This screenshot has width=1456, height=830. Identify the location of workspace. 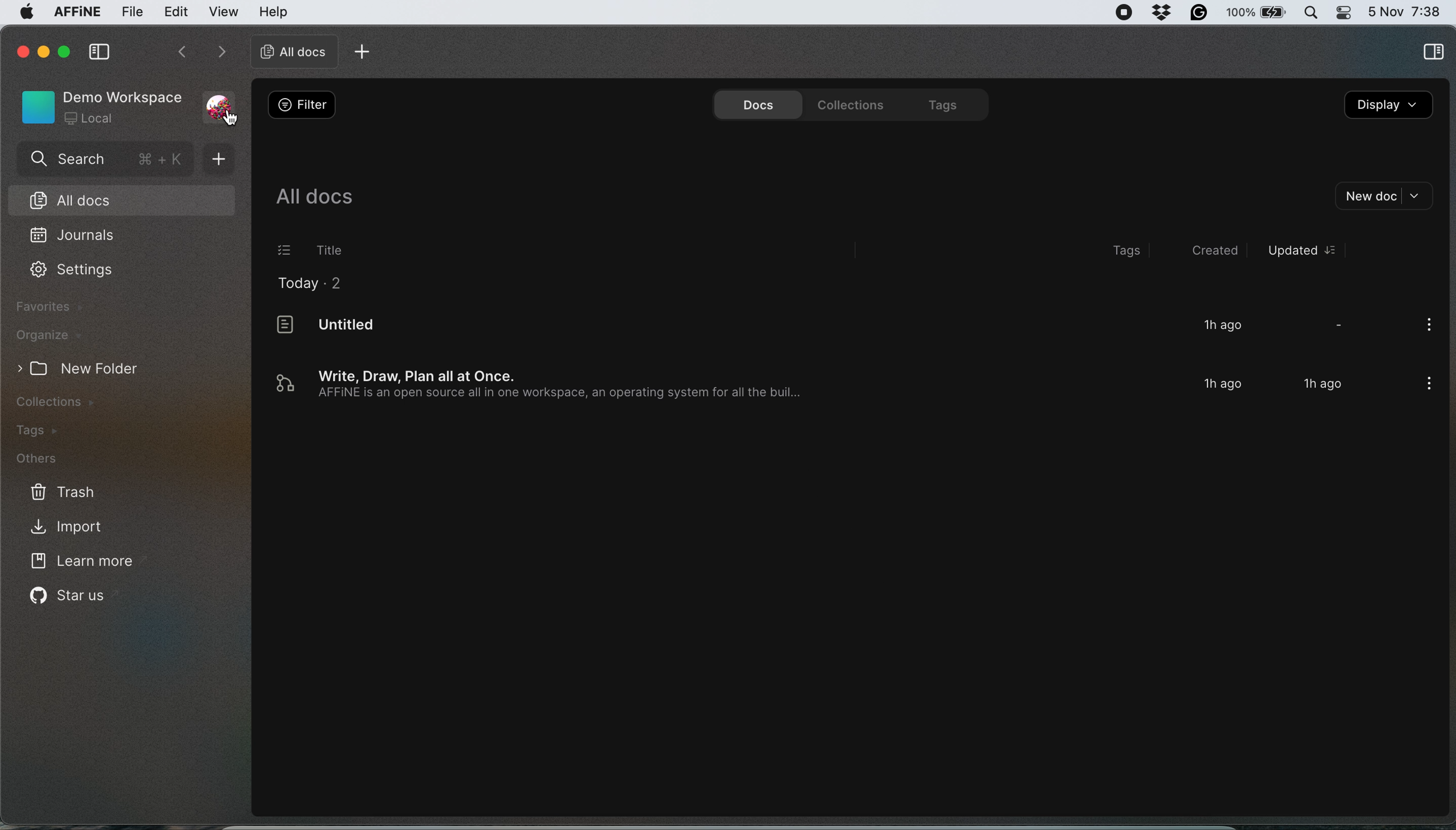
(100, 105).